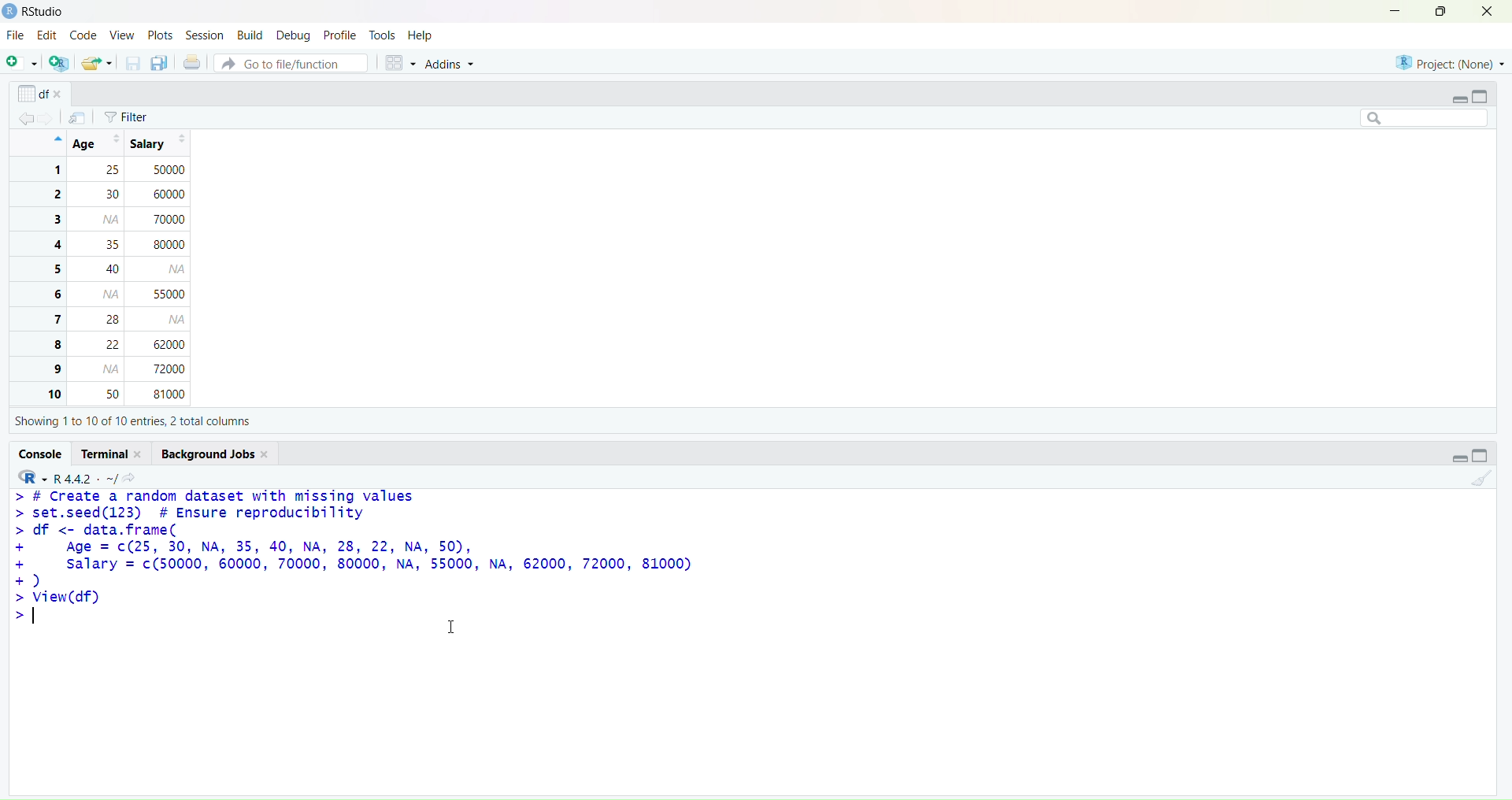 The image size is (1512, 800). Describe the element at coordinates (42, 93) in the screenshot. I see `options of x` at that location.